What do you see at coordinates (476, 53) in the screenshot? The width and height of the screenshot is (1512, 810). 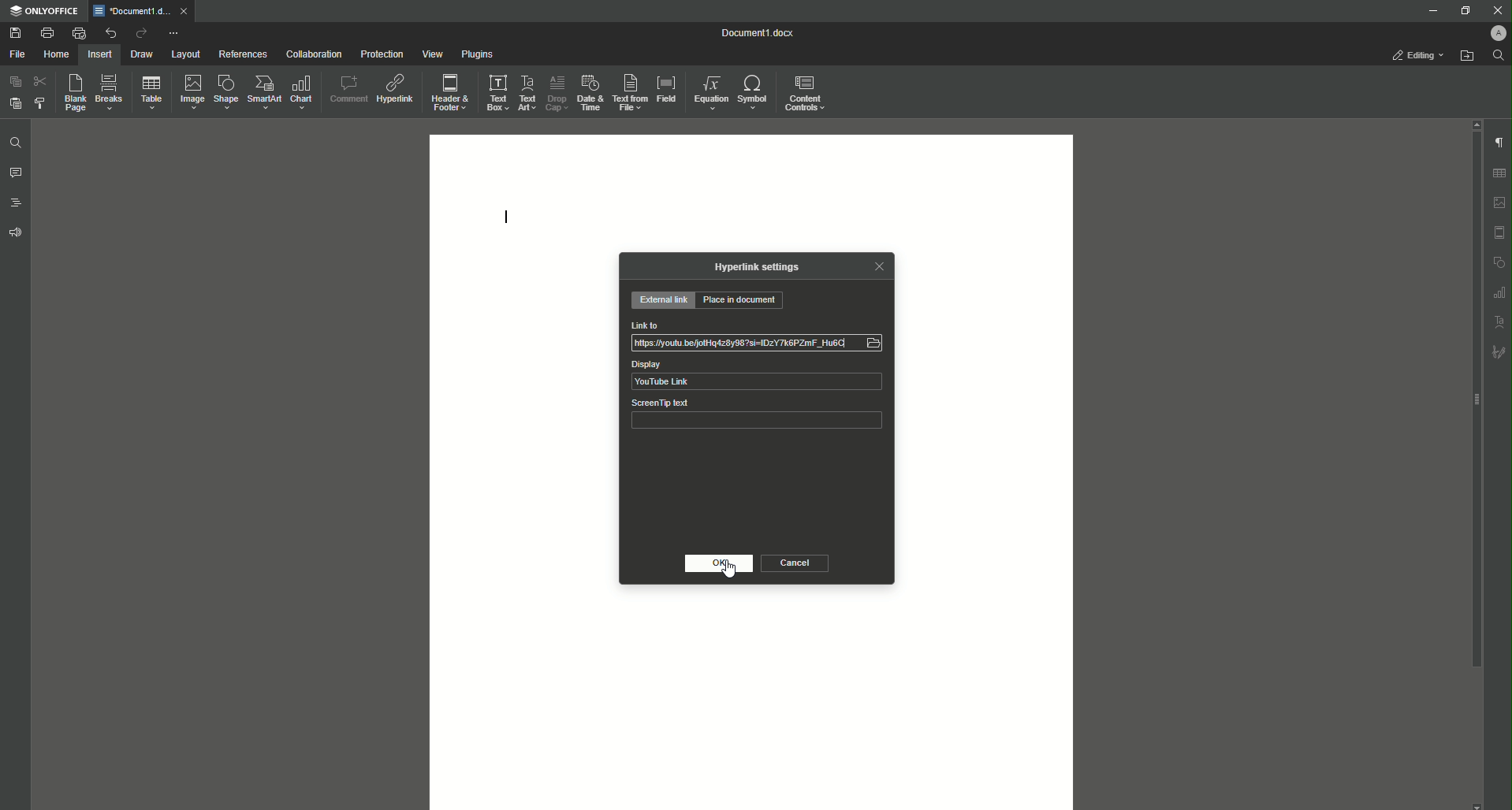 I see `Plugins` at bounding box center [476, 53].